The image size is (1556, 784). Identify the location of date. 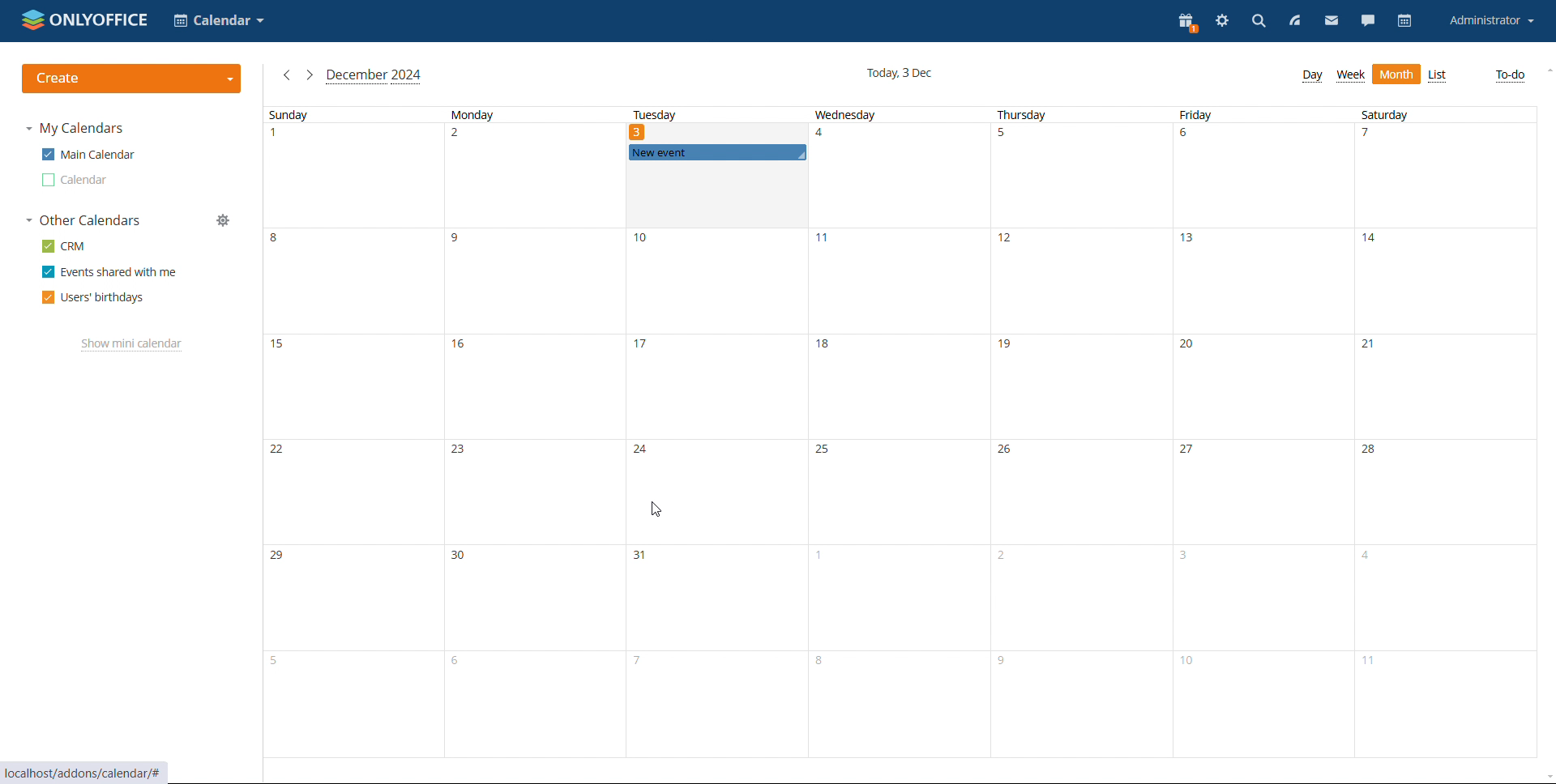
(901, 491).